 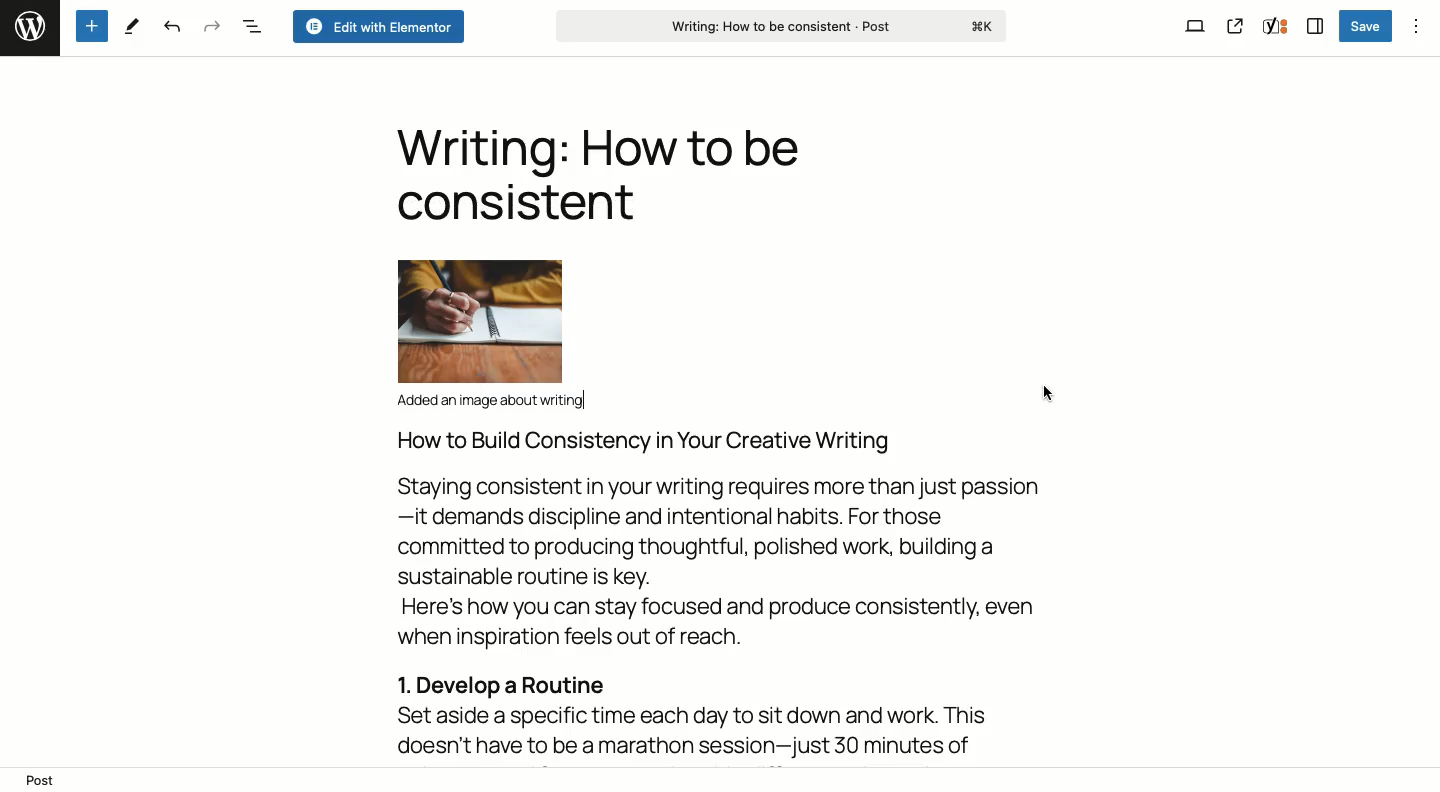 What do you see at coordinates (135, 26) in the screenshot?
I see `Tools` at bounding box center [135, 26].